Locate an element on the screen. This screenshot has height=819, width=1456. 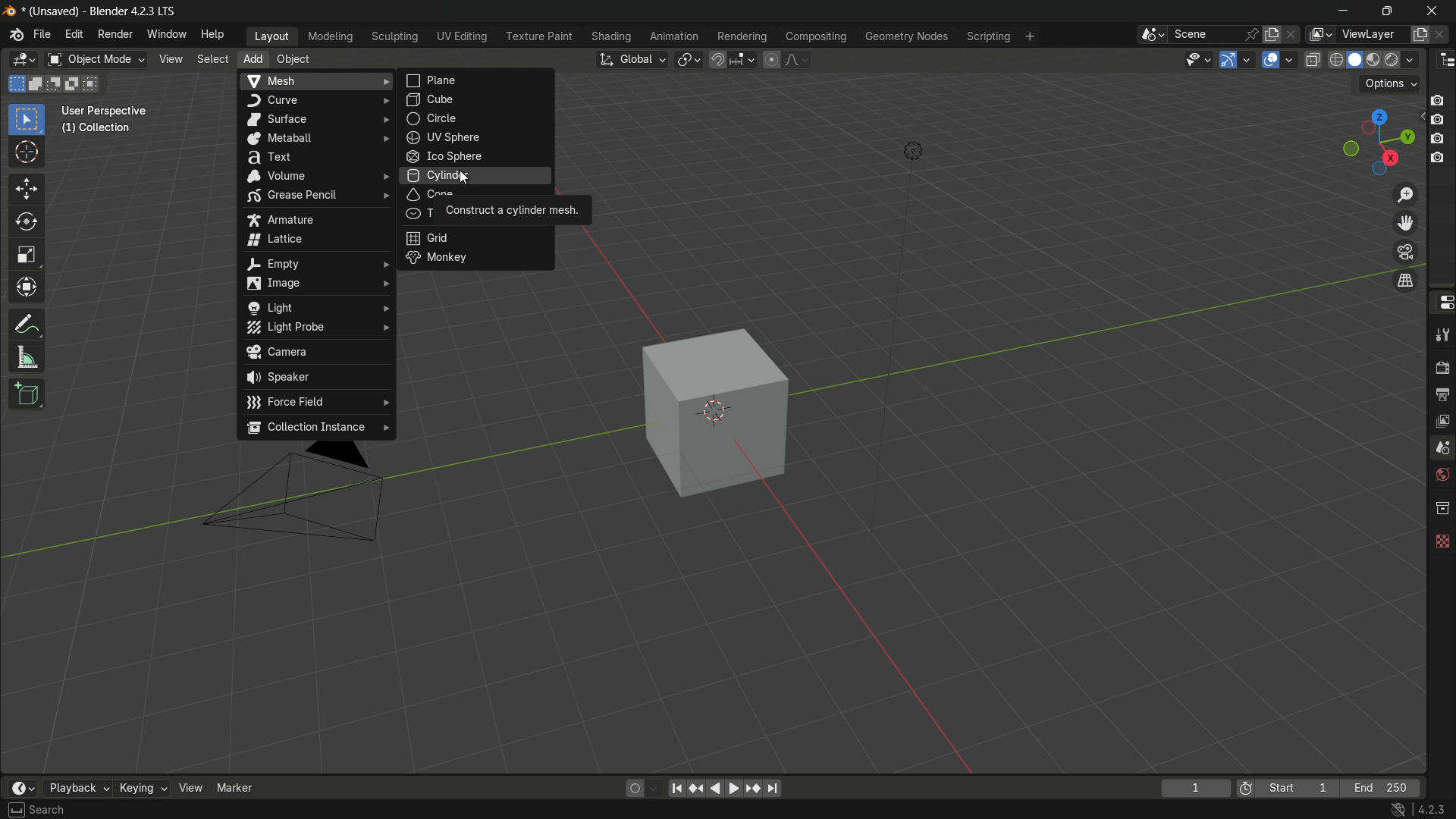
force field is located at coordinates (318, 405).